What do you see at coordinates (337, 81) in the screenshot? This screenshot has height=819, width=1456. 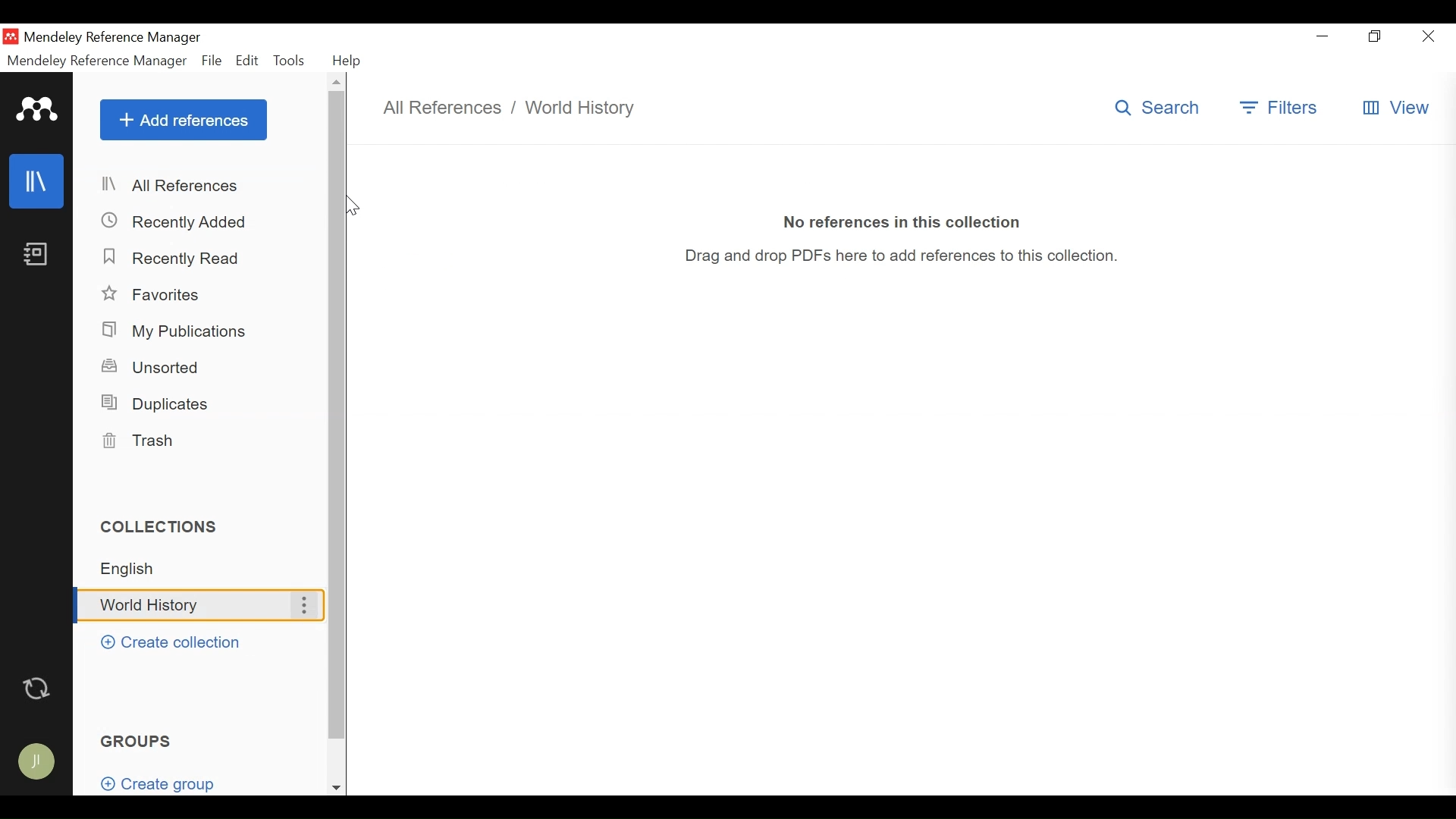 I see `Scroll up` at bounding box center [337, 81].